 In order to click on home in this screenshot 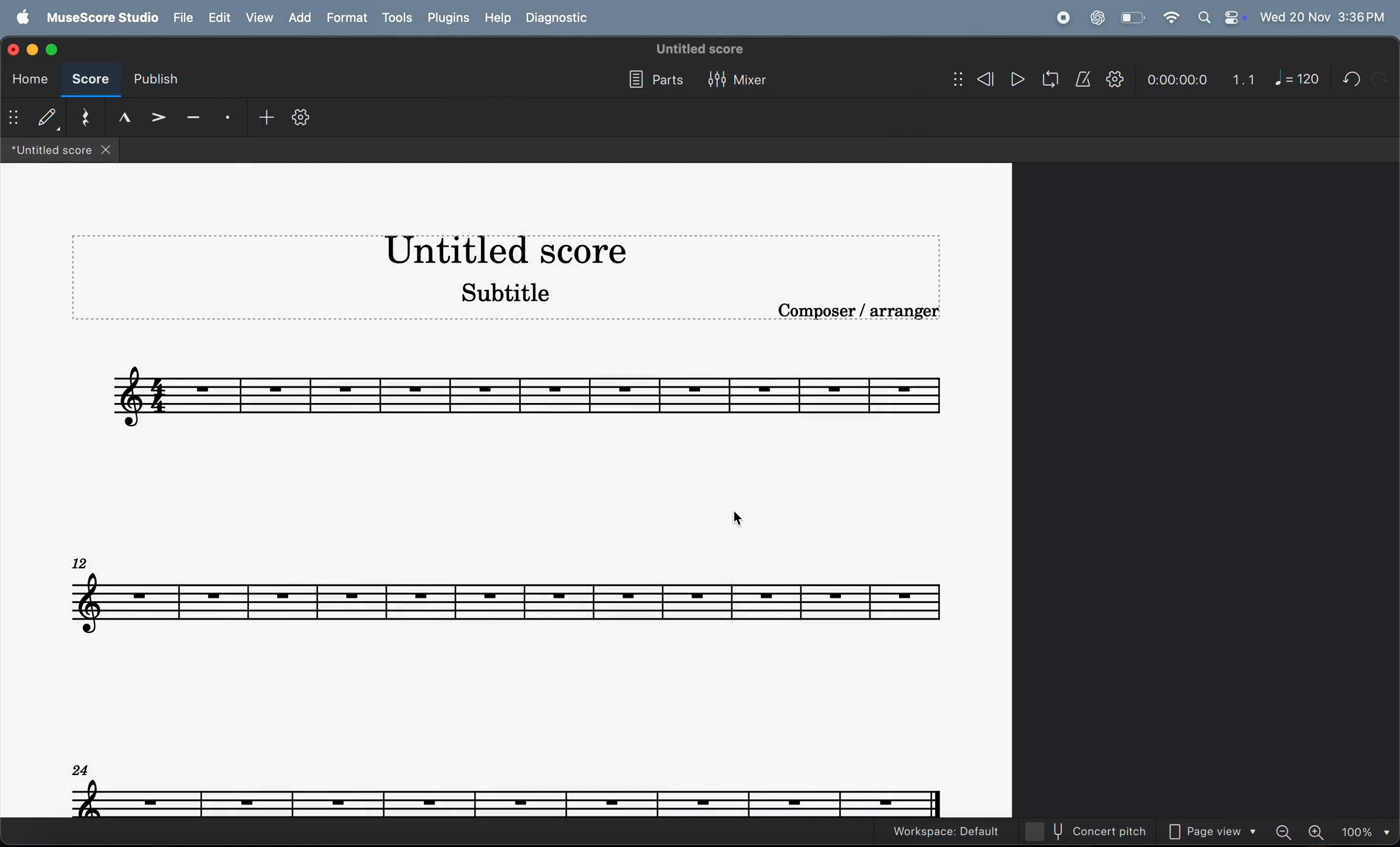, I will do `click(27, 79)`.